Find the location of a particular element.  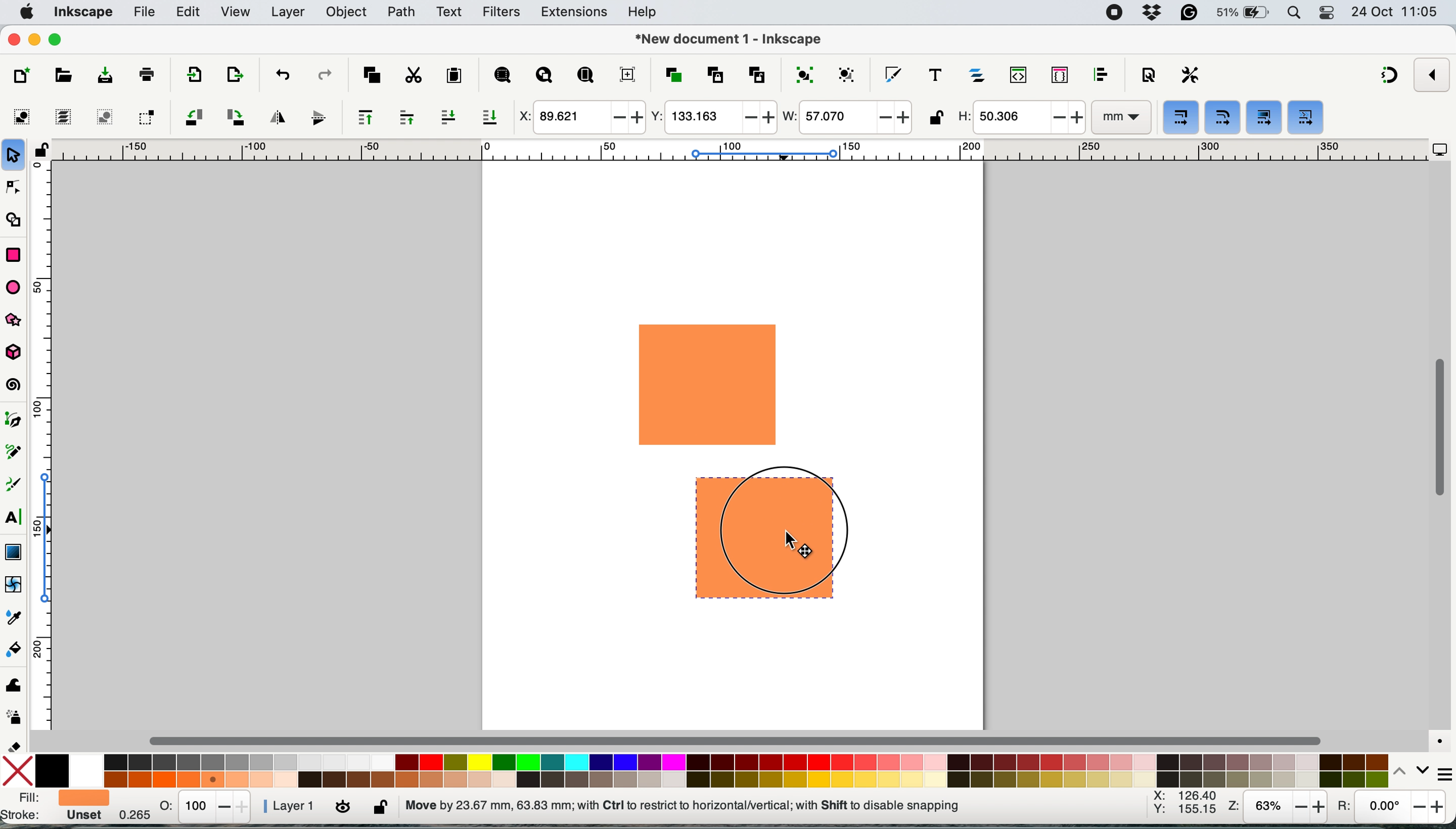

extensions is located at coordinates (576, 13).